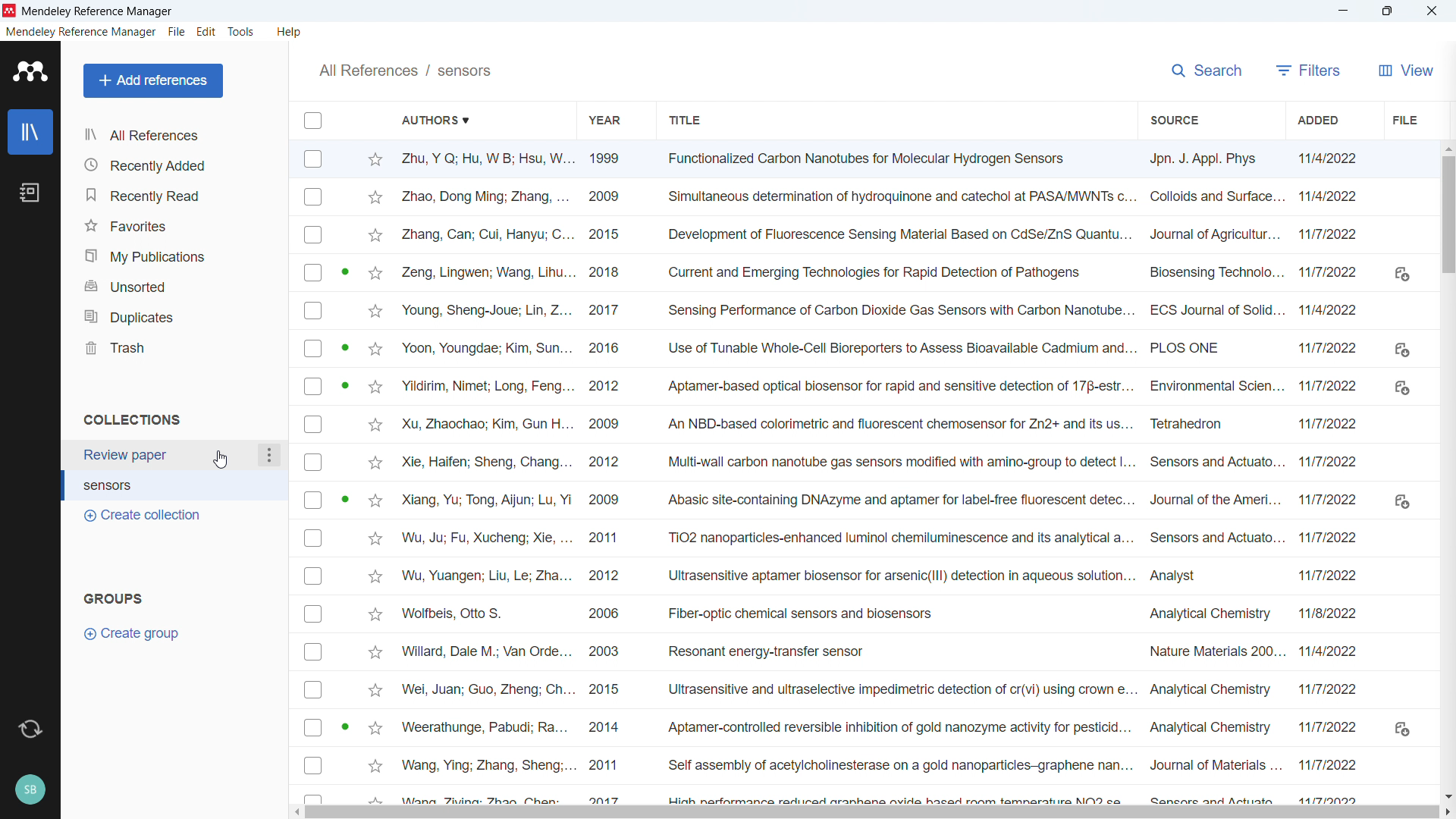 This screenshot has height=819, width=1456. Describe the element at coordinates (177, 134) in the screenshot. I see `All references ` at that location.